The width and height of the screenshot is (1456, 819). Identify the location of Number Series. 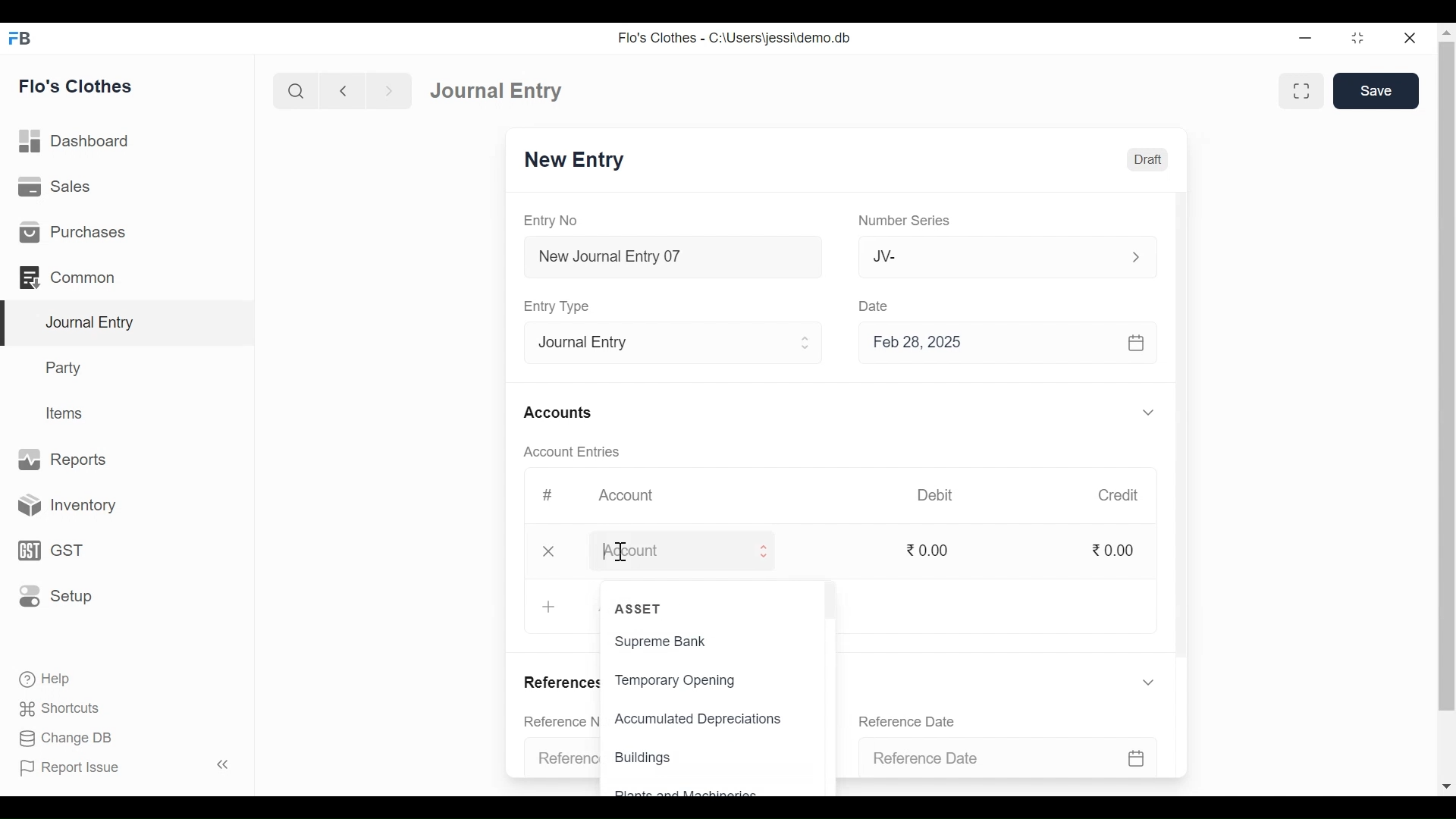
(910, 221).